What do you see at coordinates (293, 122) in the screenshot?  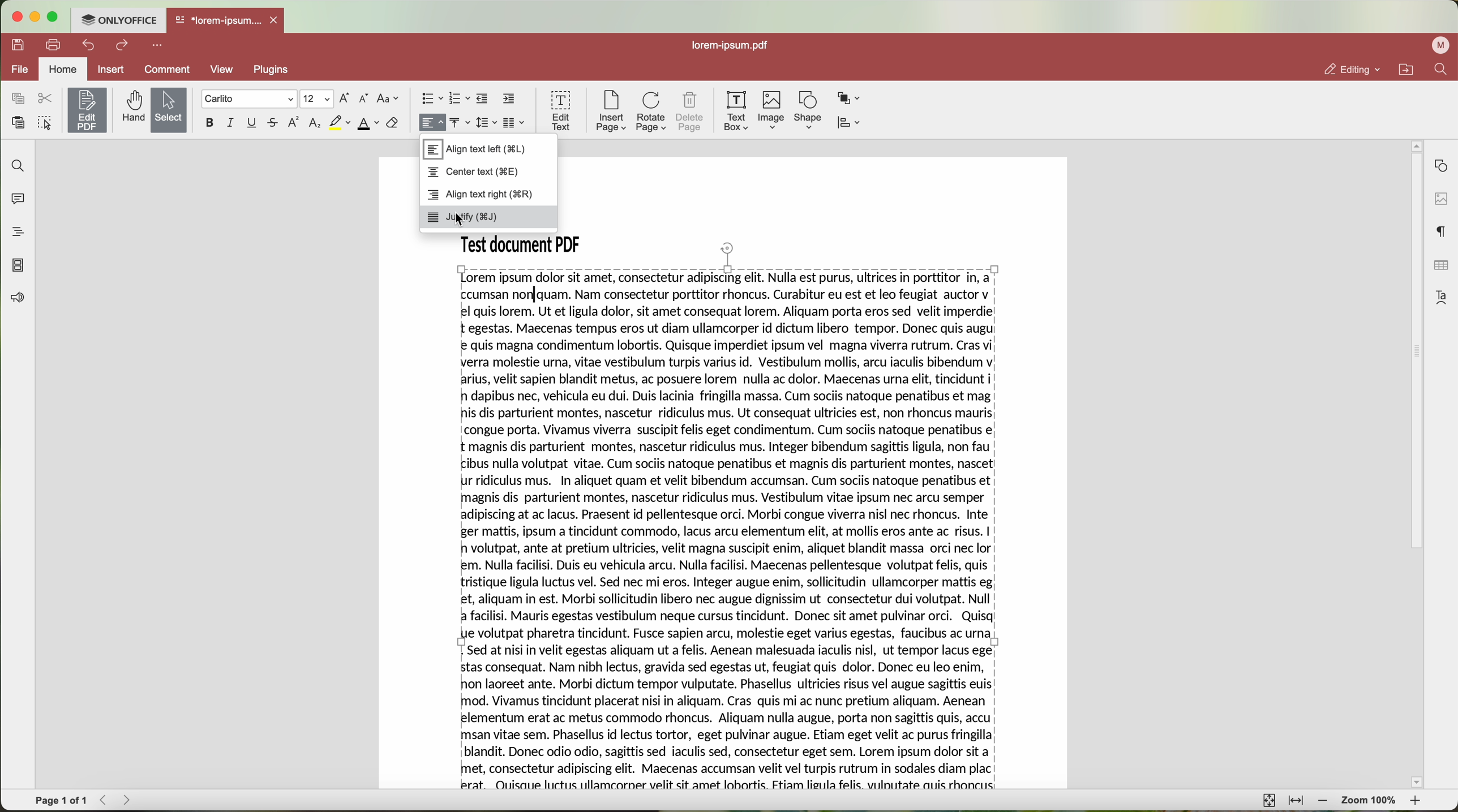 I see `superscript` at bounding box center [293, 122].